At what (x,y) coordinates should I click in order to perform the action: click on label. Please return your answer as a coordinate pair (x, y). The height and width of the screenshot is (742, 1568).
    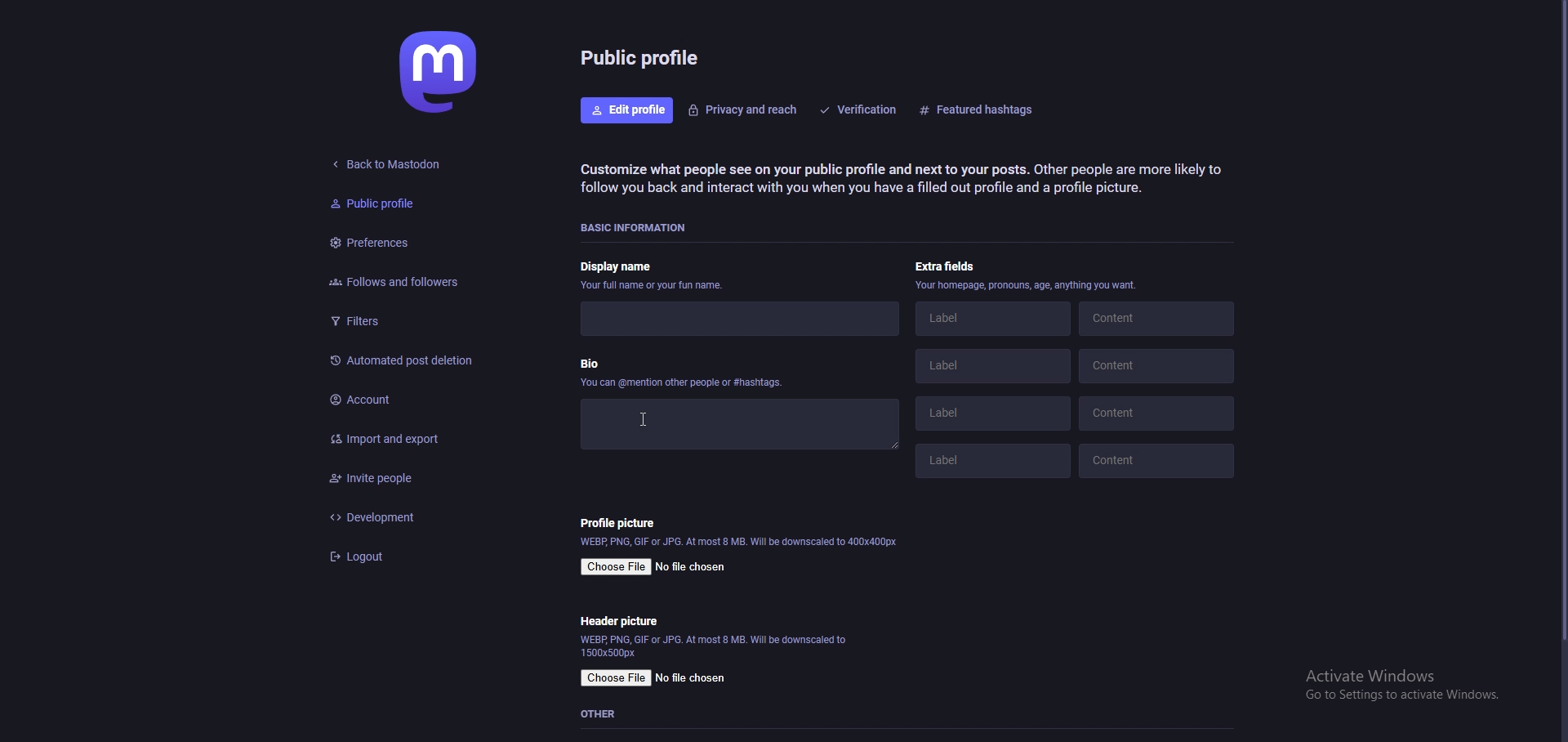
    Looking at the image, I should click on (994, 365).